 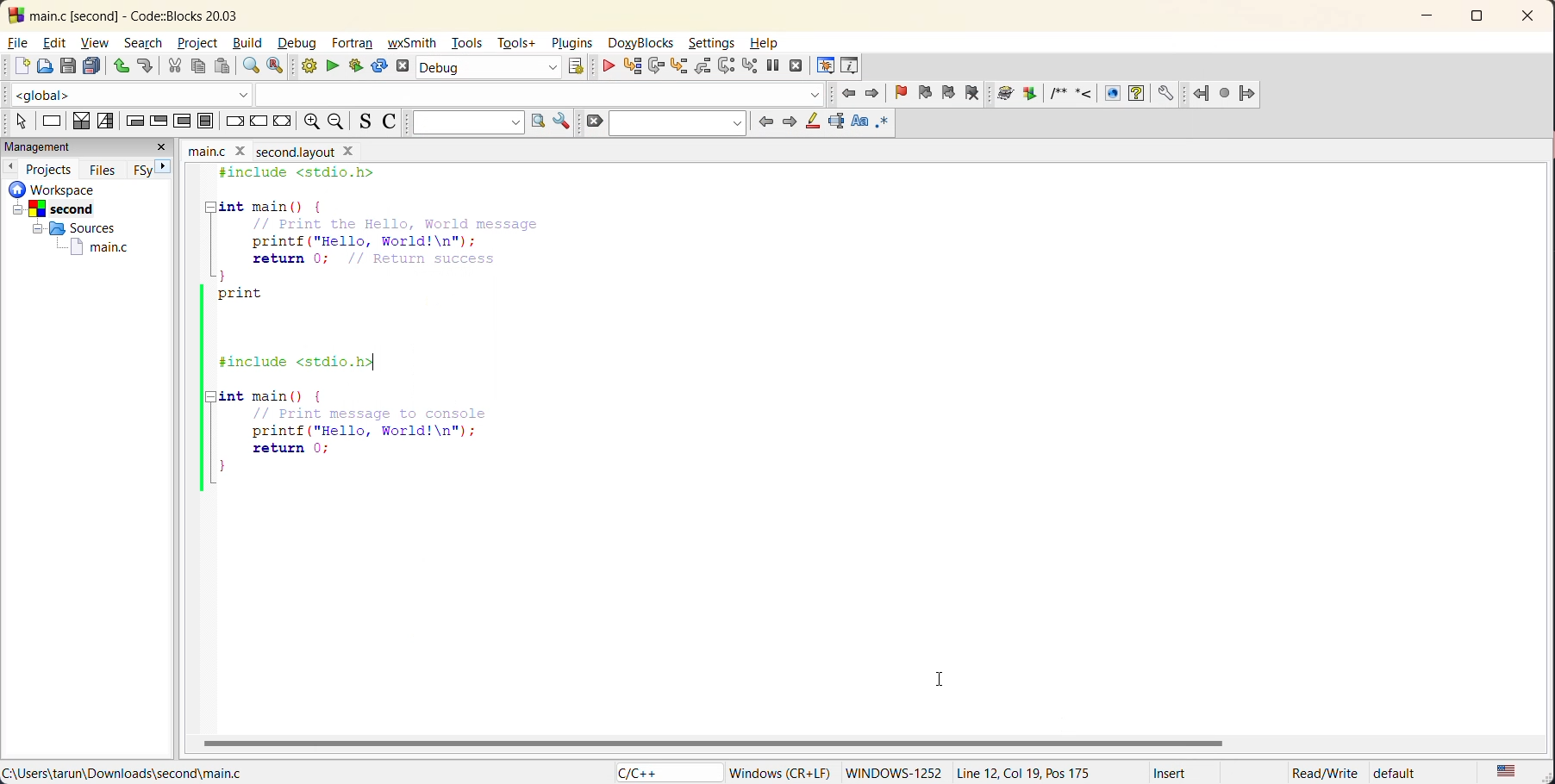 I want to click on continue instruction, so click(x=259, y=121).